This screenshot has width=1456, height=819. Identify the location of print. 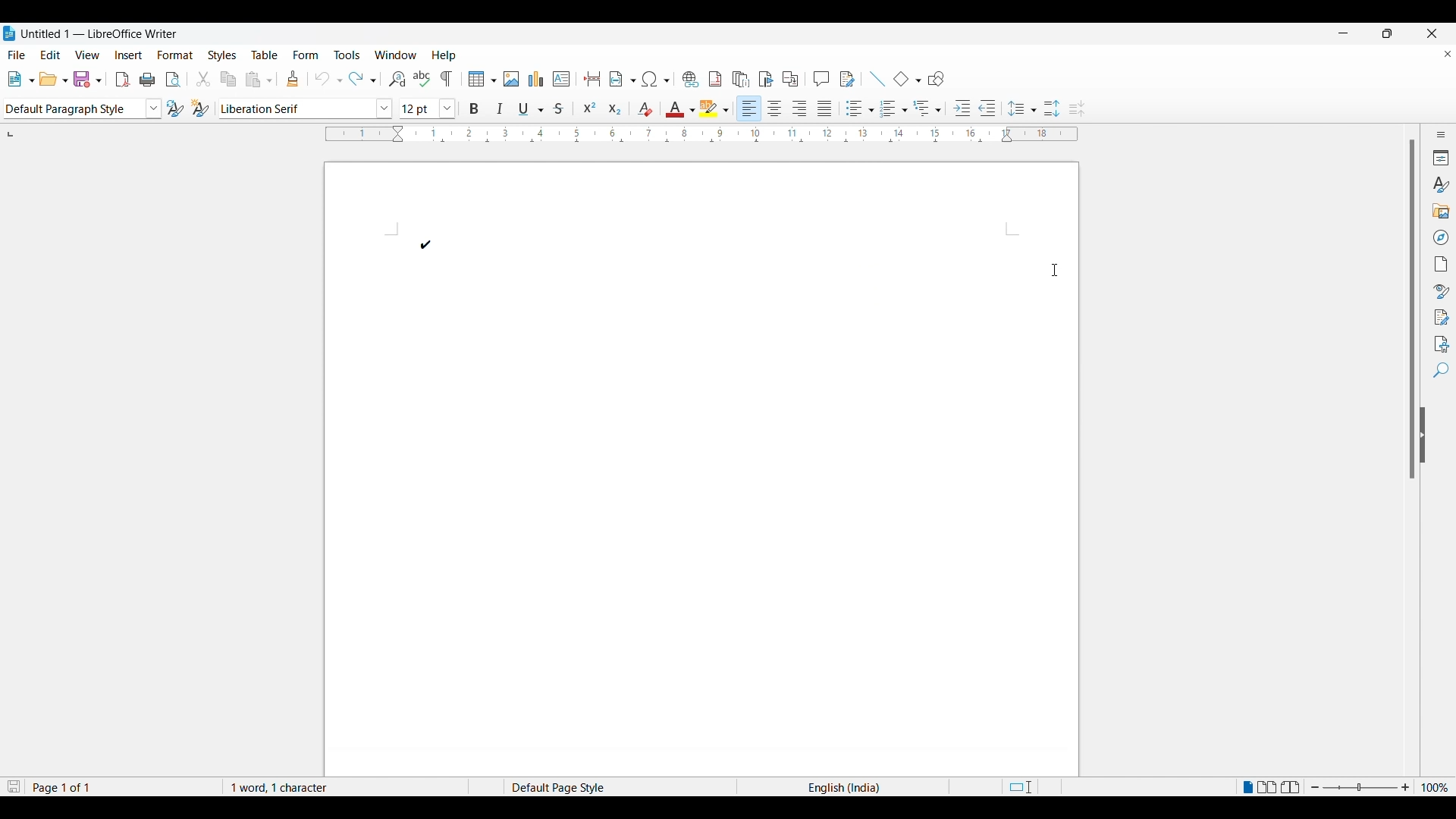
(149, 79).